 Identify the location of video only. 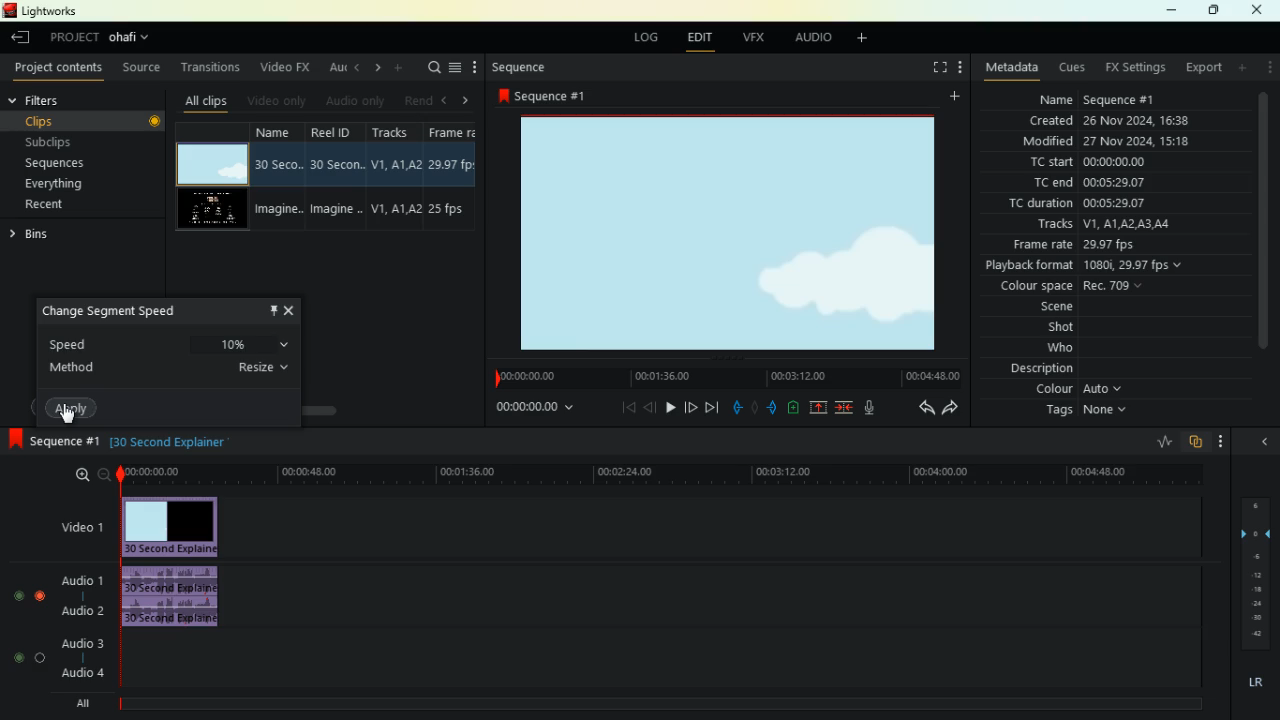
(279, 101).